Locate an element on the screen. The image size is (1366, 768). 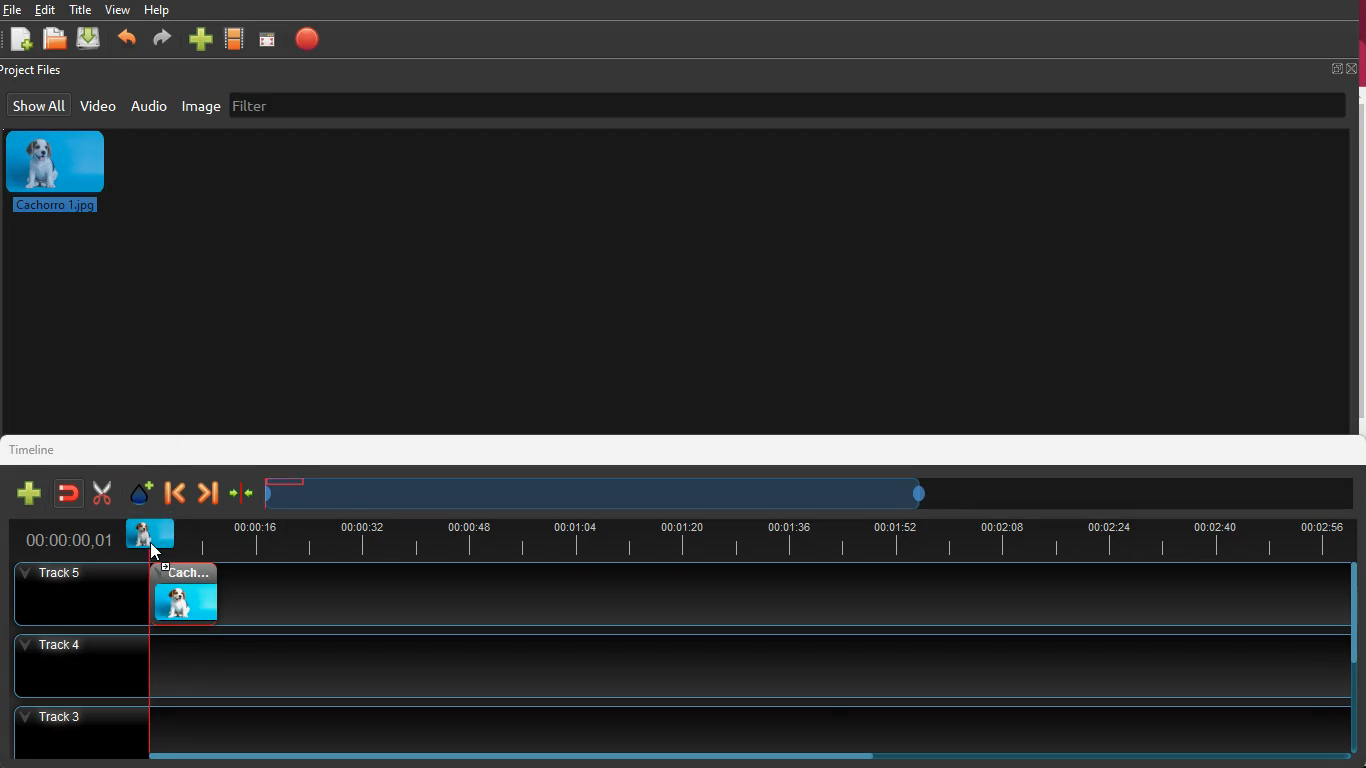
track is located at coordinates (799, 600).